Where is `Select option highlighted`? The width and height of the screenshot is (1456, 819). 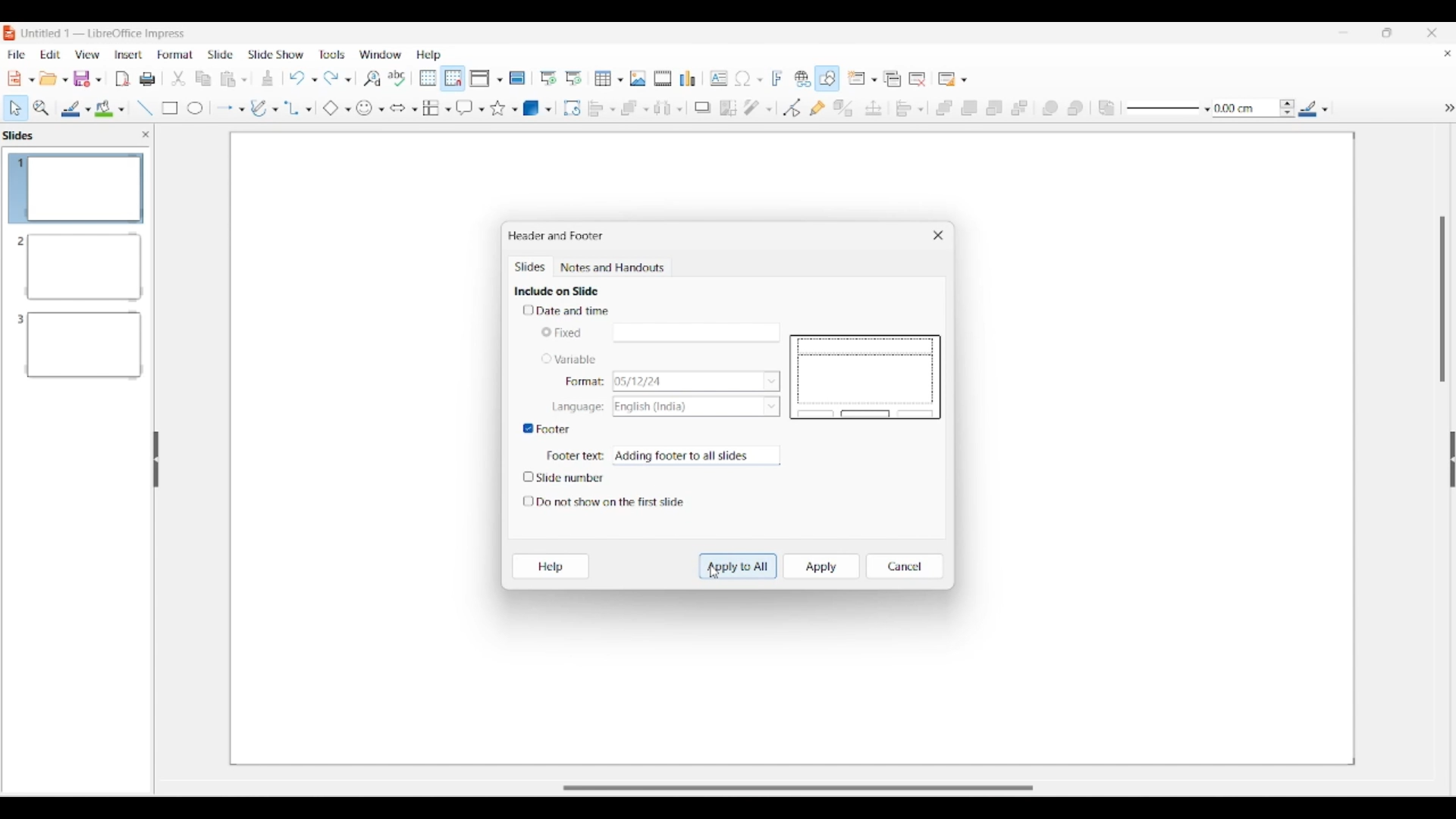
Select option highlighted is located at coordinates (15, 108).